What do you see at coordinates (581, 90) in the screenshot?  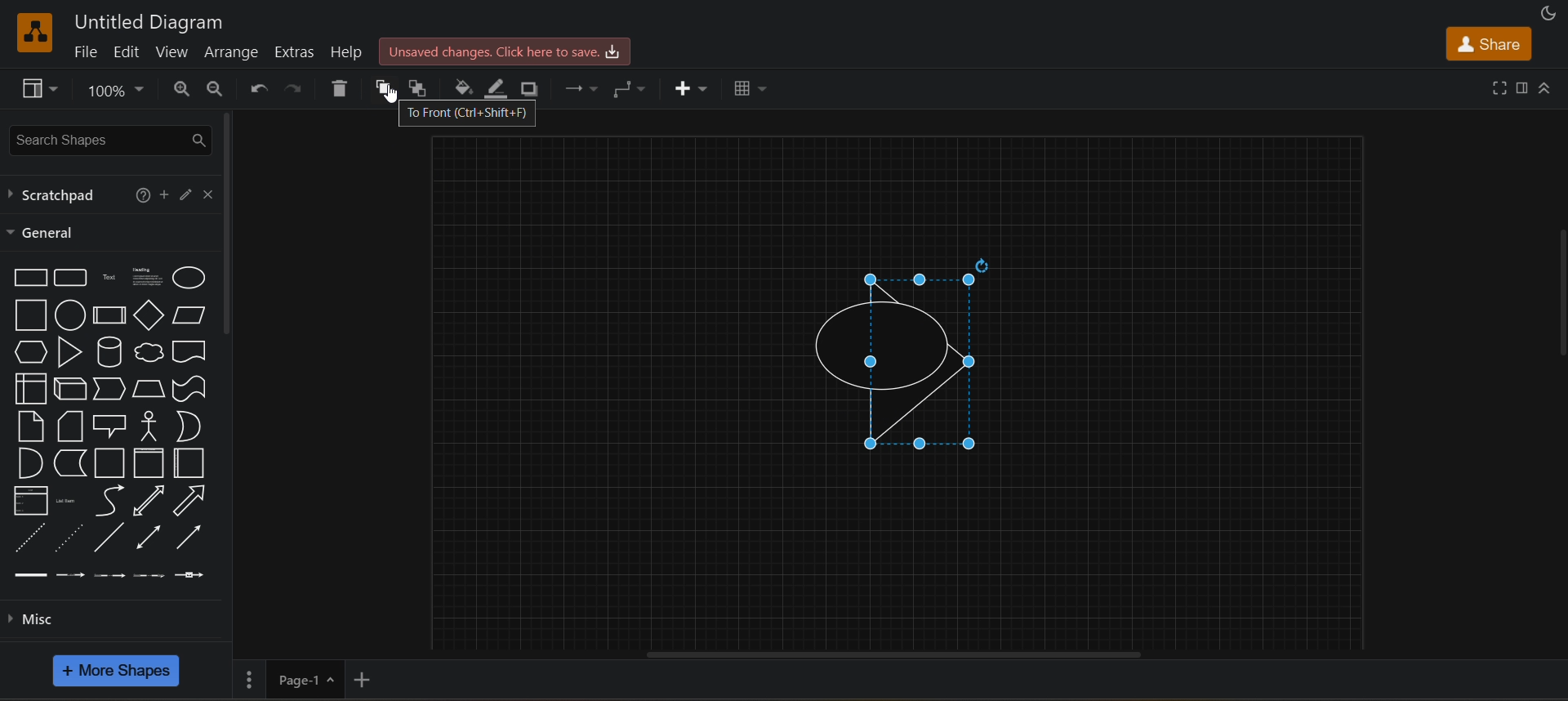 I see `connection` at bounding box center [581, 90].